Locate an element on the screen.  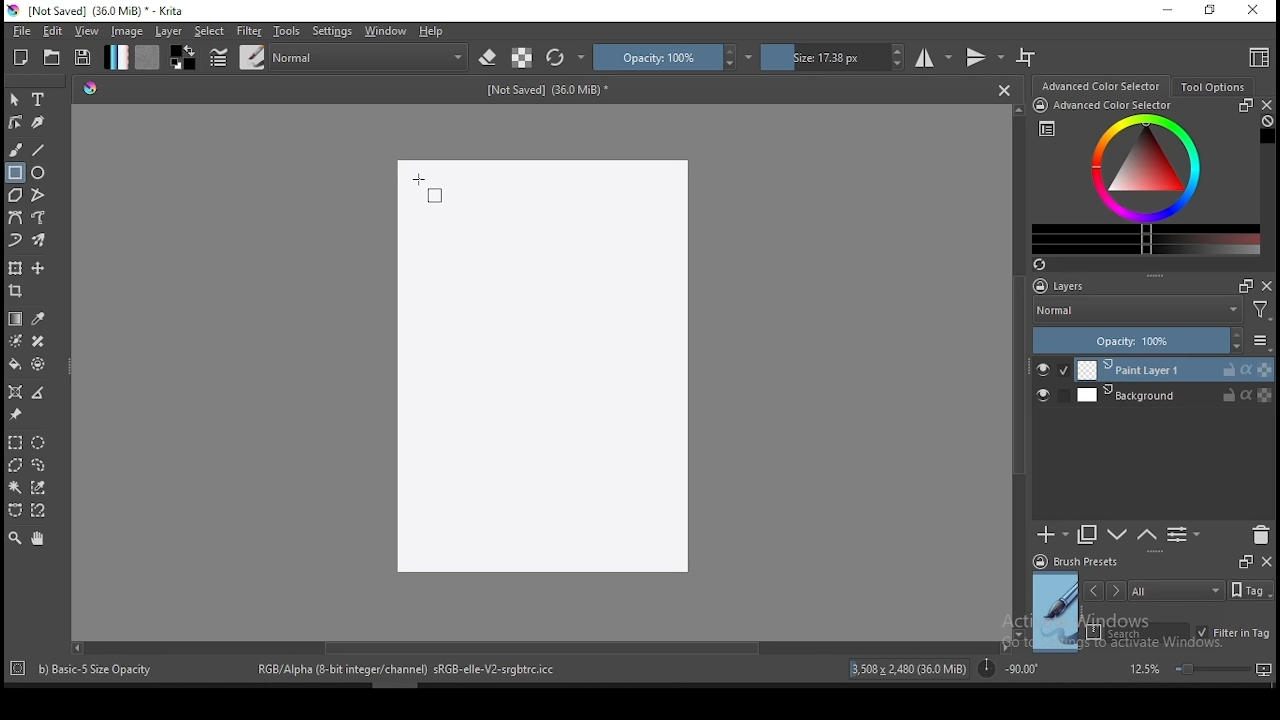
reload original preset is located at coordinates (566, 57).